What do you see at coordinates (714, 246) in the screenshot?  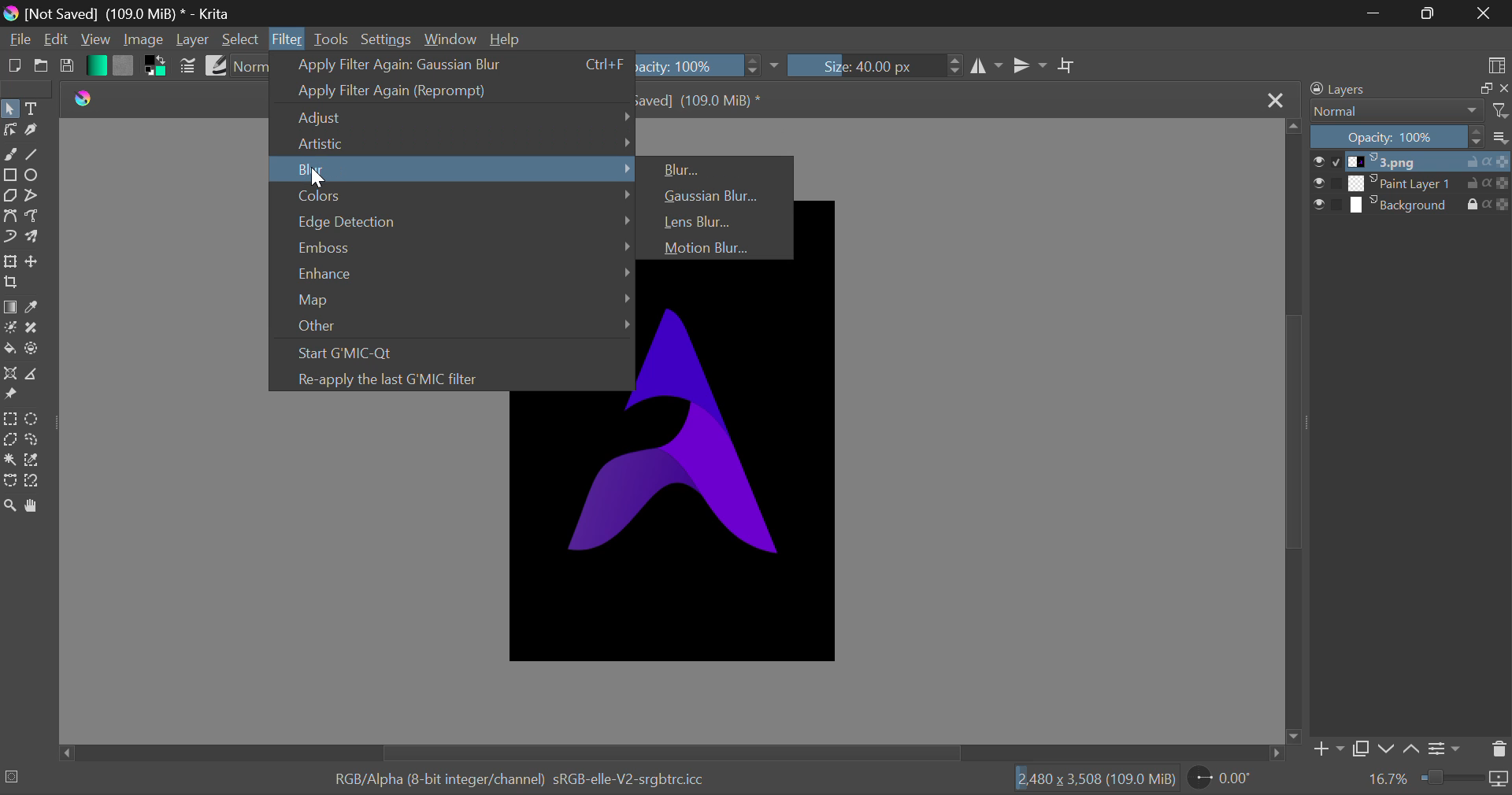 I see `Motion Blur` at bounding box center [714, 246].